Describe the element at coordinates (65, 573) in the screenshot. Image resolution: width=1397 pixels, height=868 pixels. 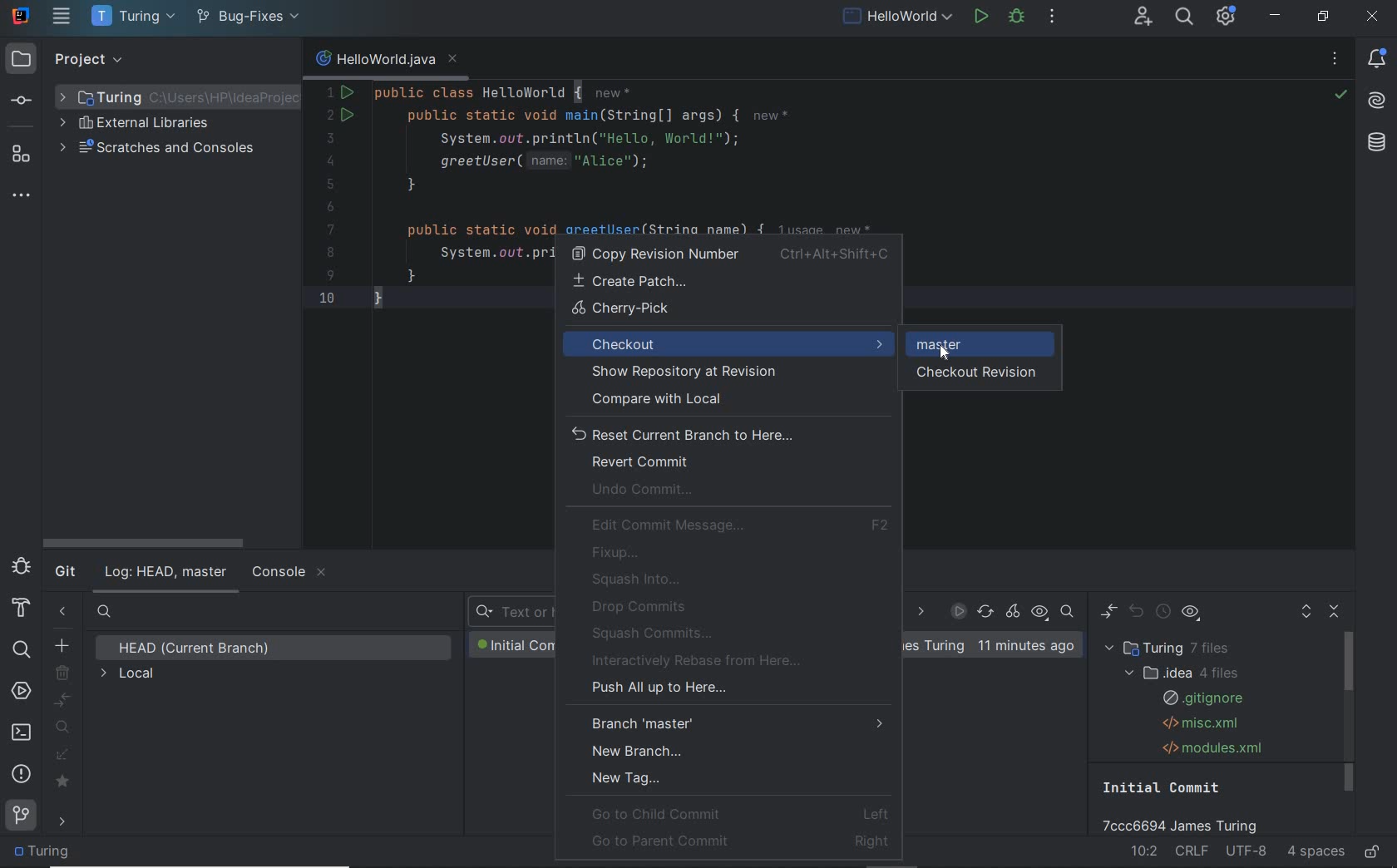
I see `git` at that location.